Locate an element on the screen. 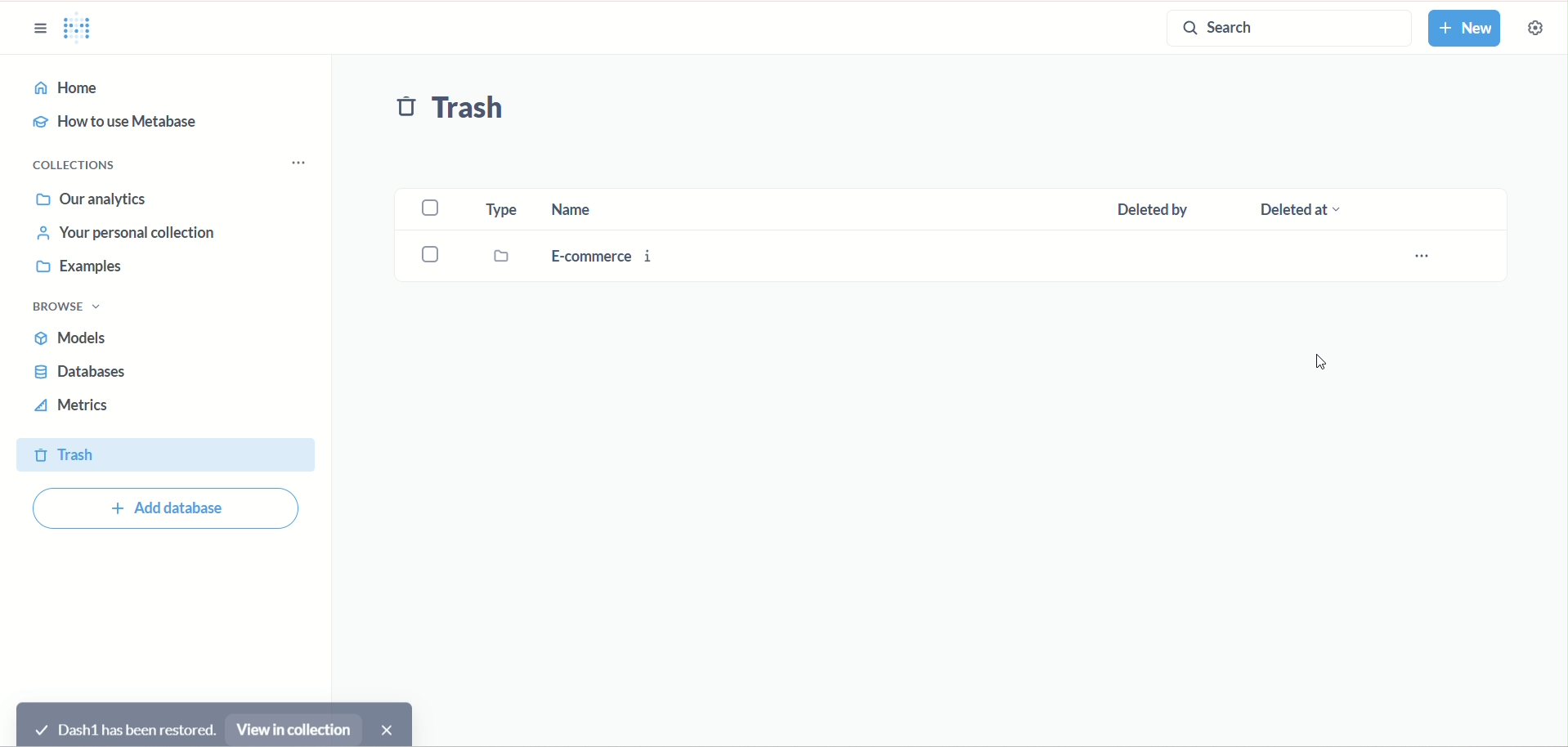  select E-commerce i is located at coordinates (430, 253).